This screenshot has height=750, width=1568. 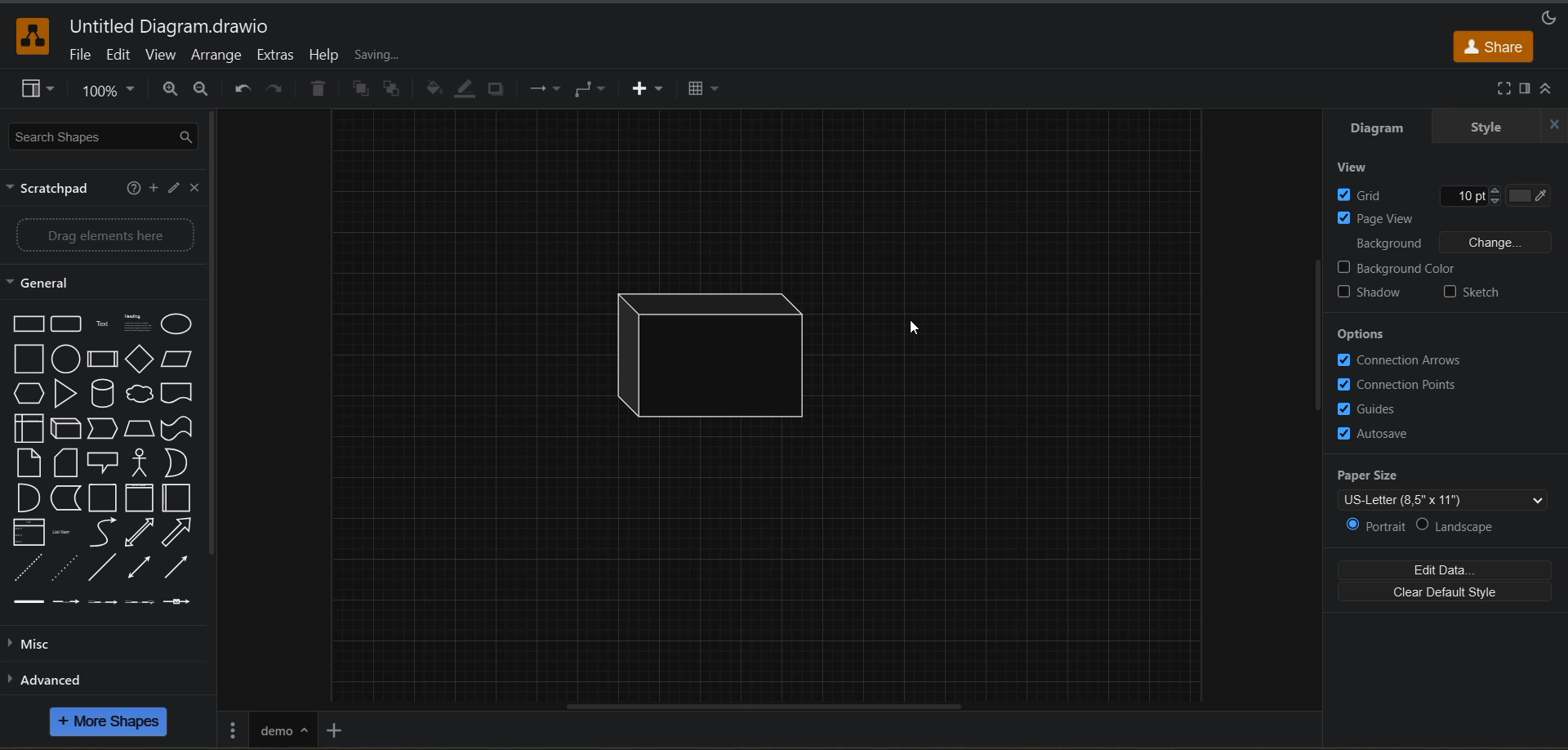 What do you see at coordinates (1377, 130) in the screenshot?
I see `diagram` at bounding box center [1377, 130].